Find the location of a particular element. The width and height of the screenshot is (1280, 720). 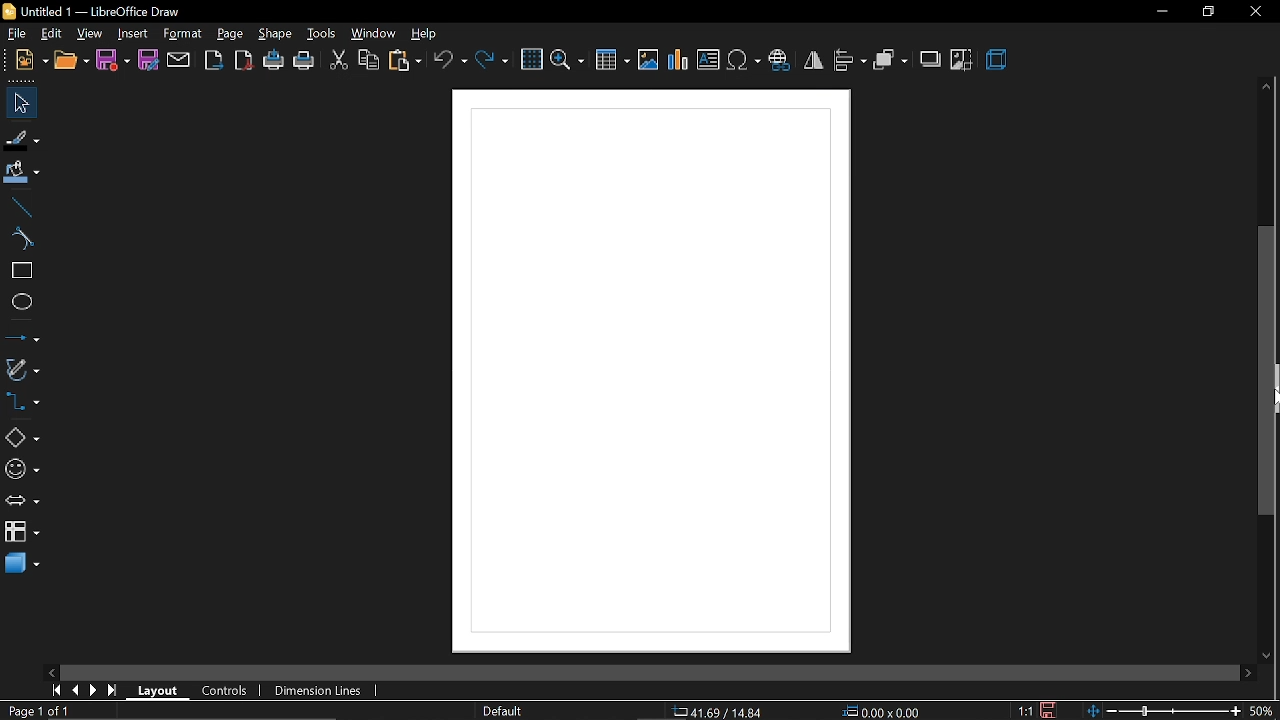

current window is located at coordinates (102, 10).